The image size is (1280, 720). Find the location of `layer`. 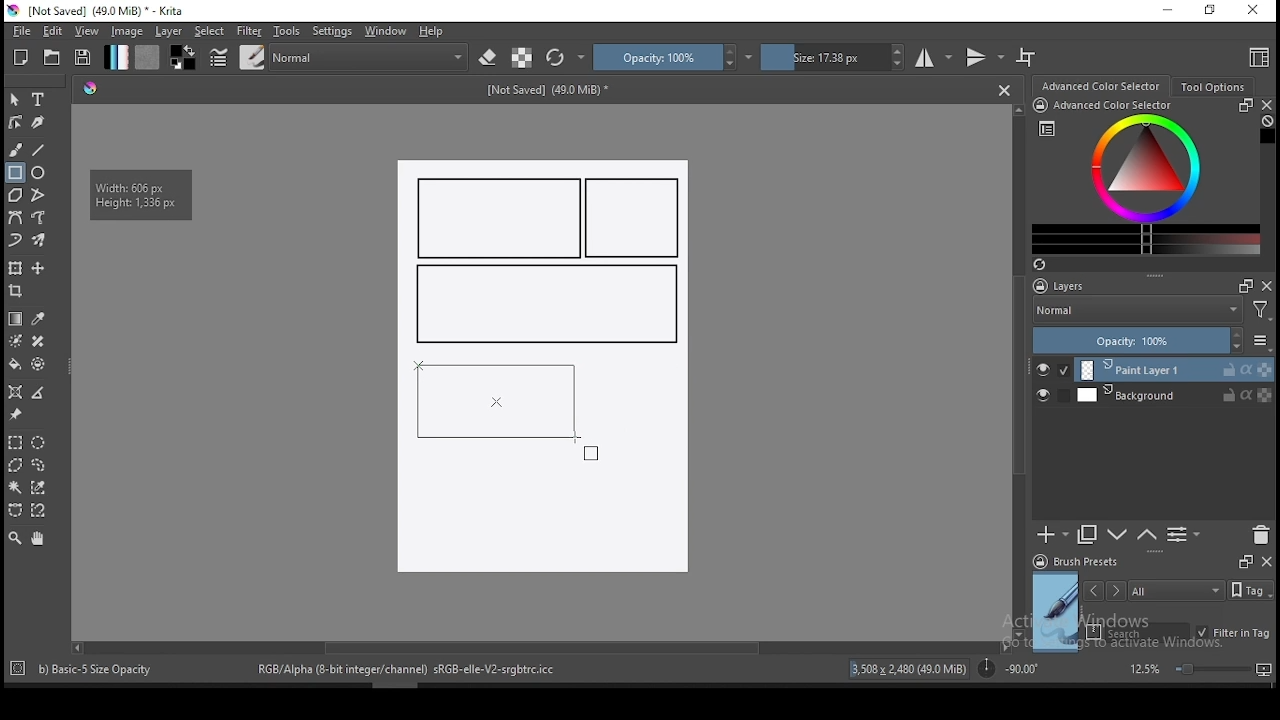

layer is located at coordinates (170, 31).